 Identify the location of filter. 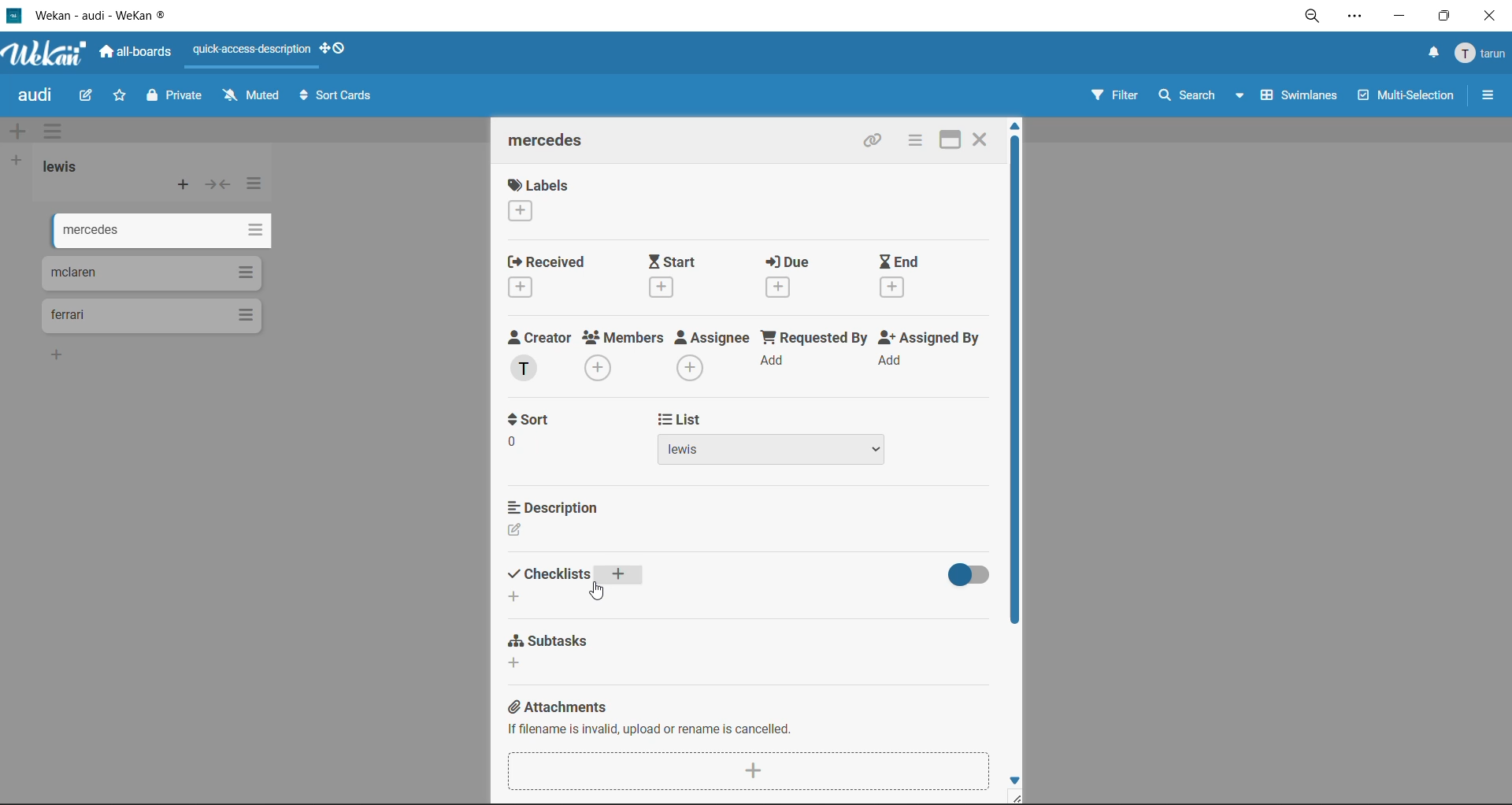
(1113, 98).